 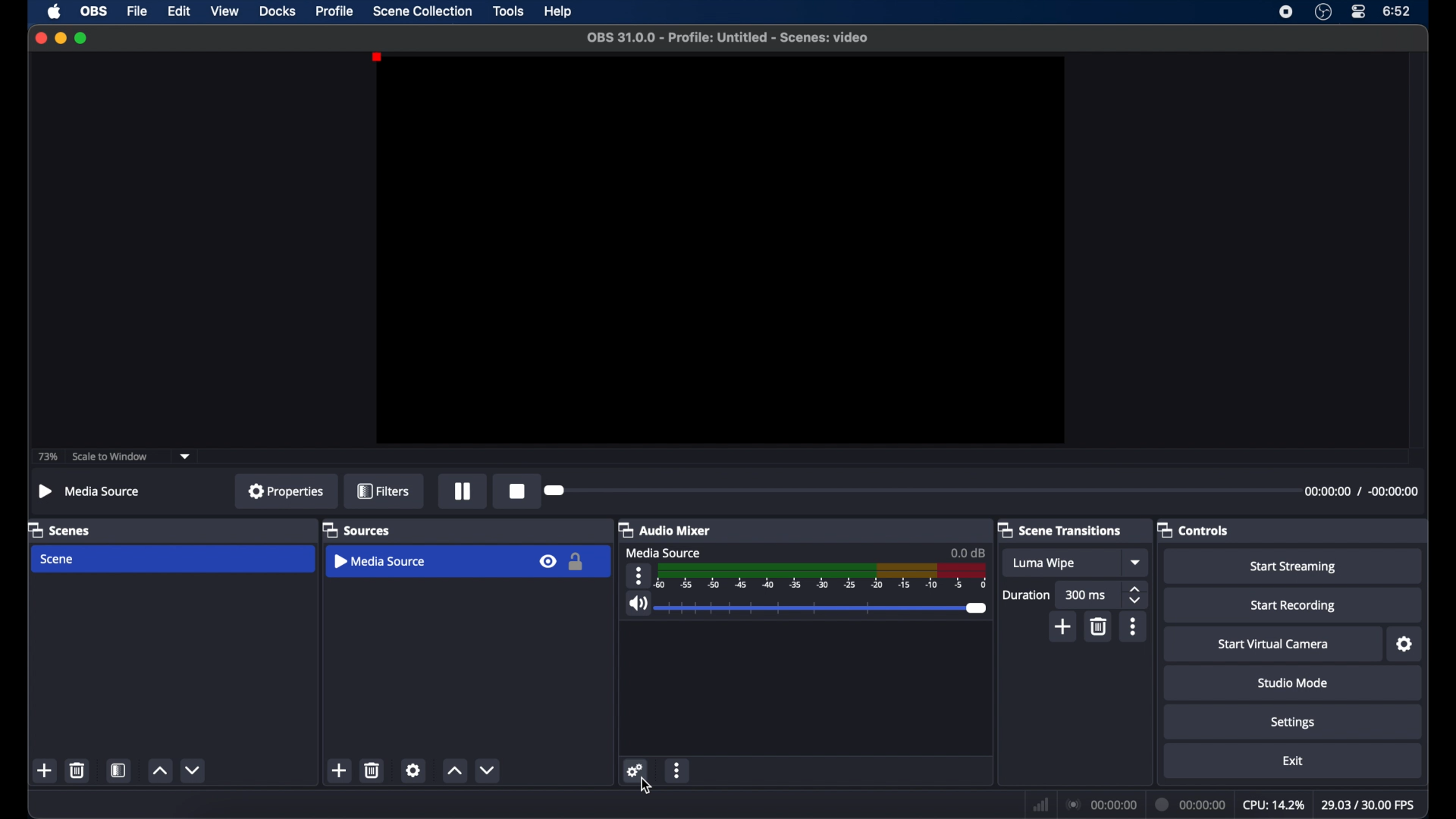 What do you see at coordinates (119, 770) in the screenshot?
I see `scene filters` at bounding box center [119, 770].